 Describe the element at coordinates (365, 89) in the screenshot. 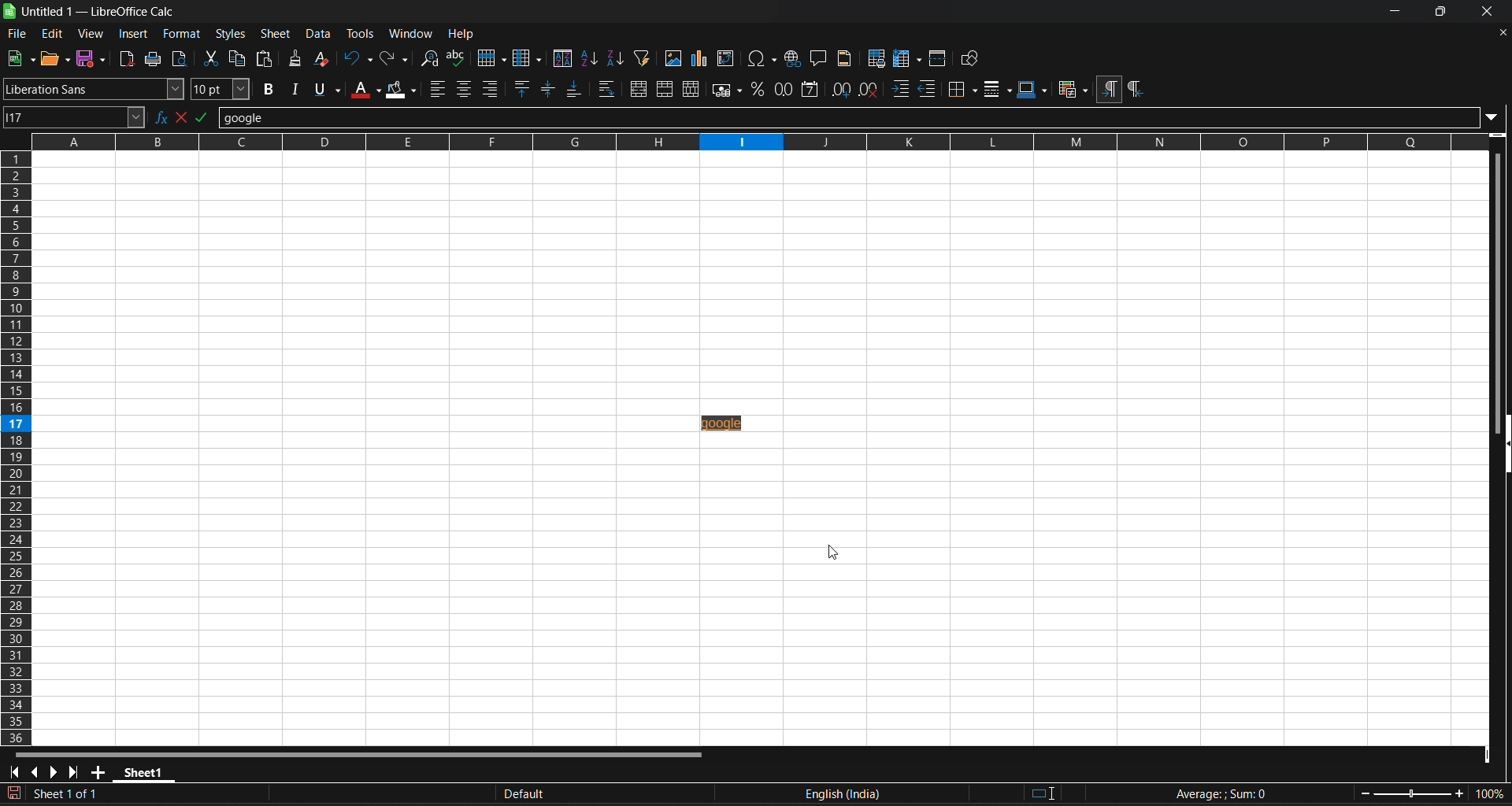

I see `font color` at that location.